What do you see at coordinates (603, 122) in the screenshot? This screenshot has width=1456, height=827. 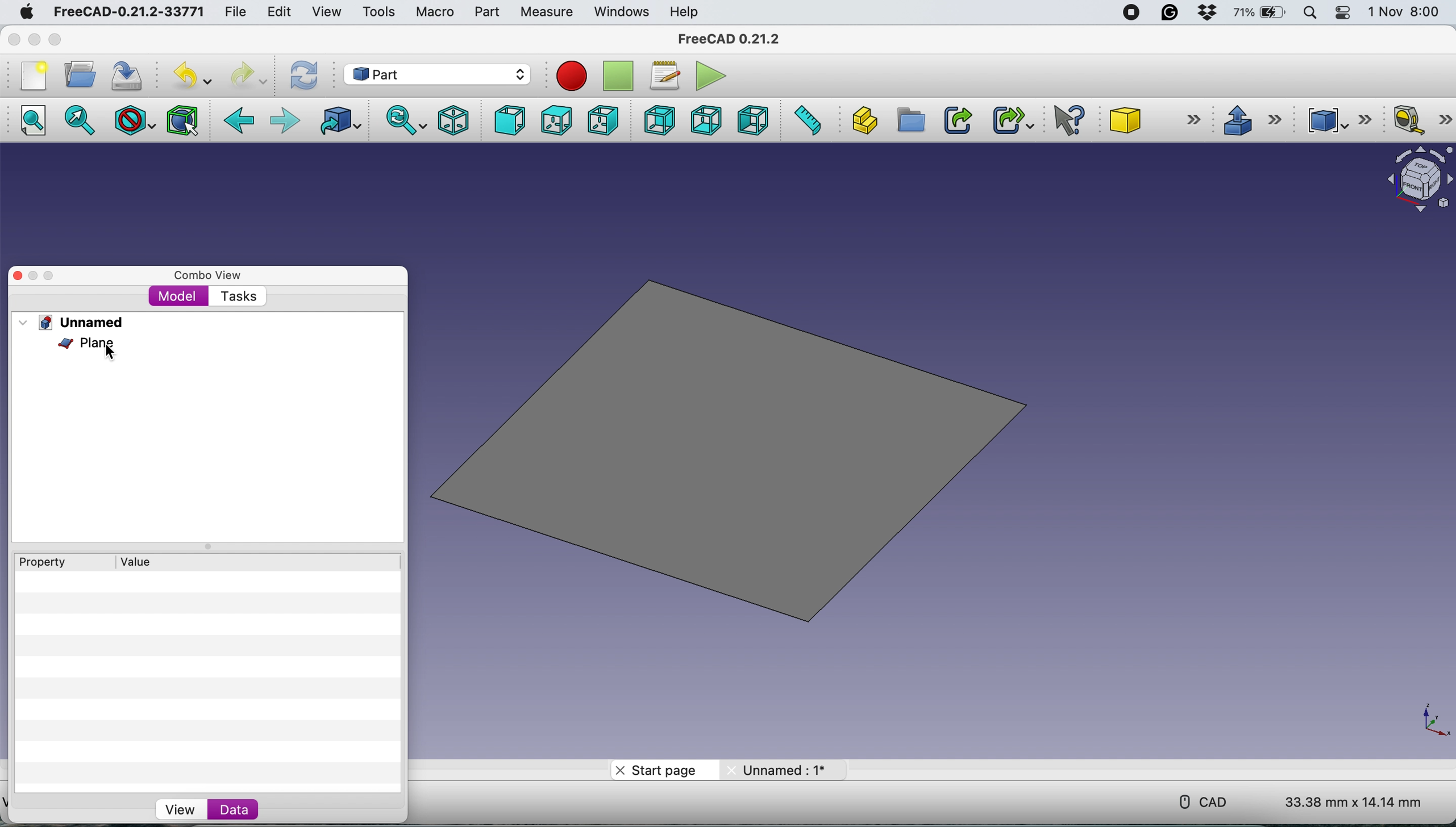 I see `right` at bounding box center [603, 122].